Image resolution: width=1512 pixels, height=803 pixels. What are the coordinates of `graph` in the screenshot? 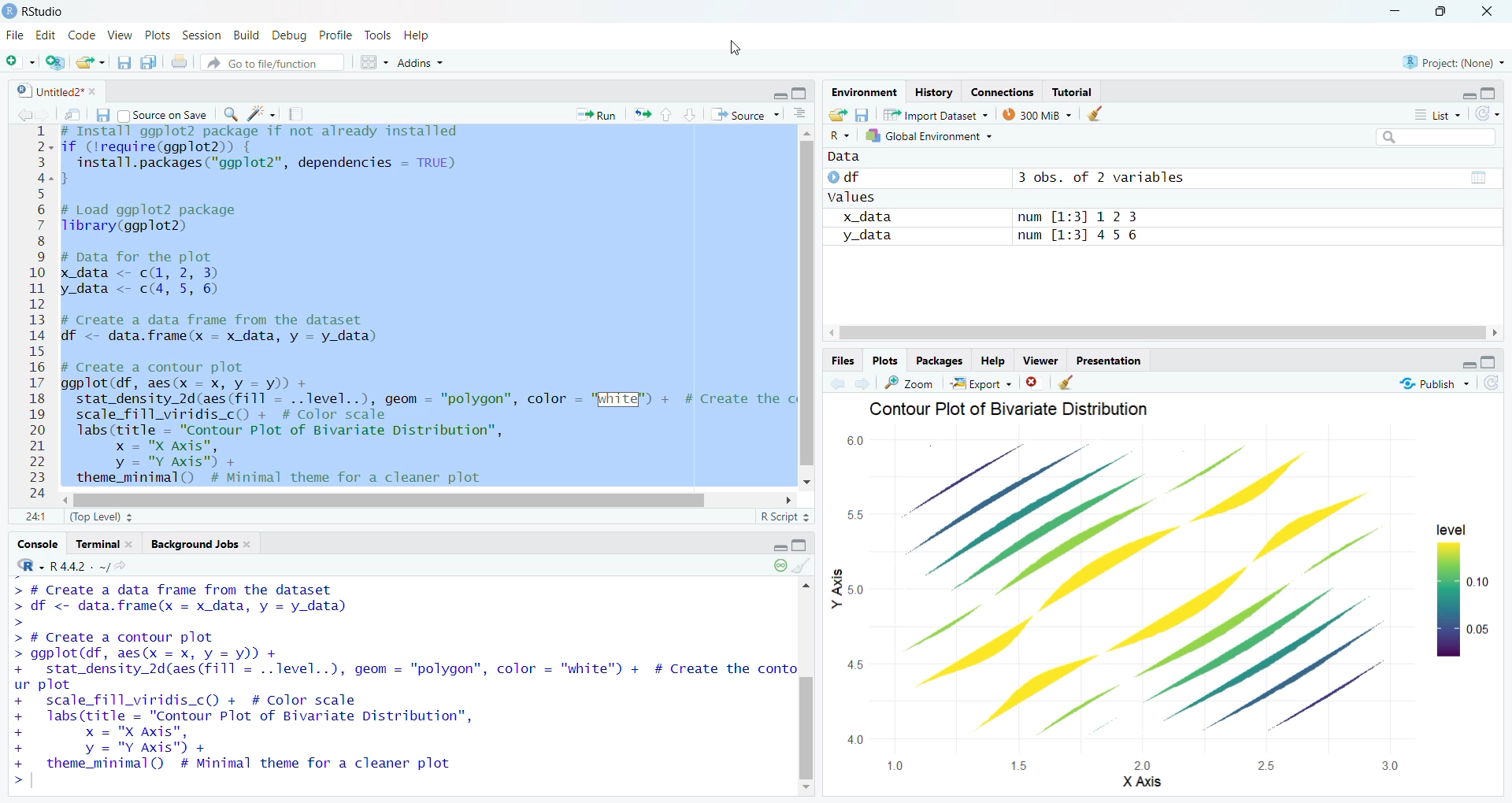 It's located at (1133, 602).